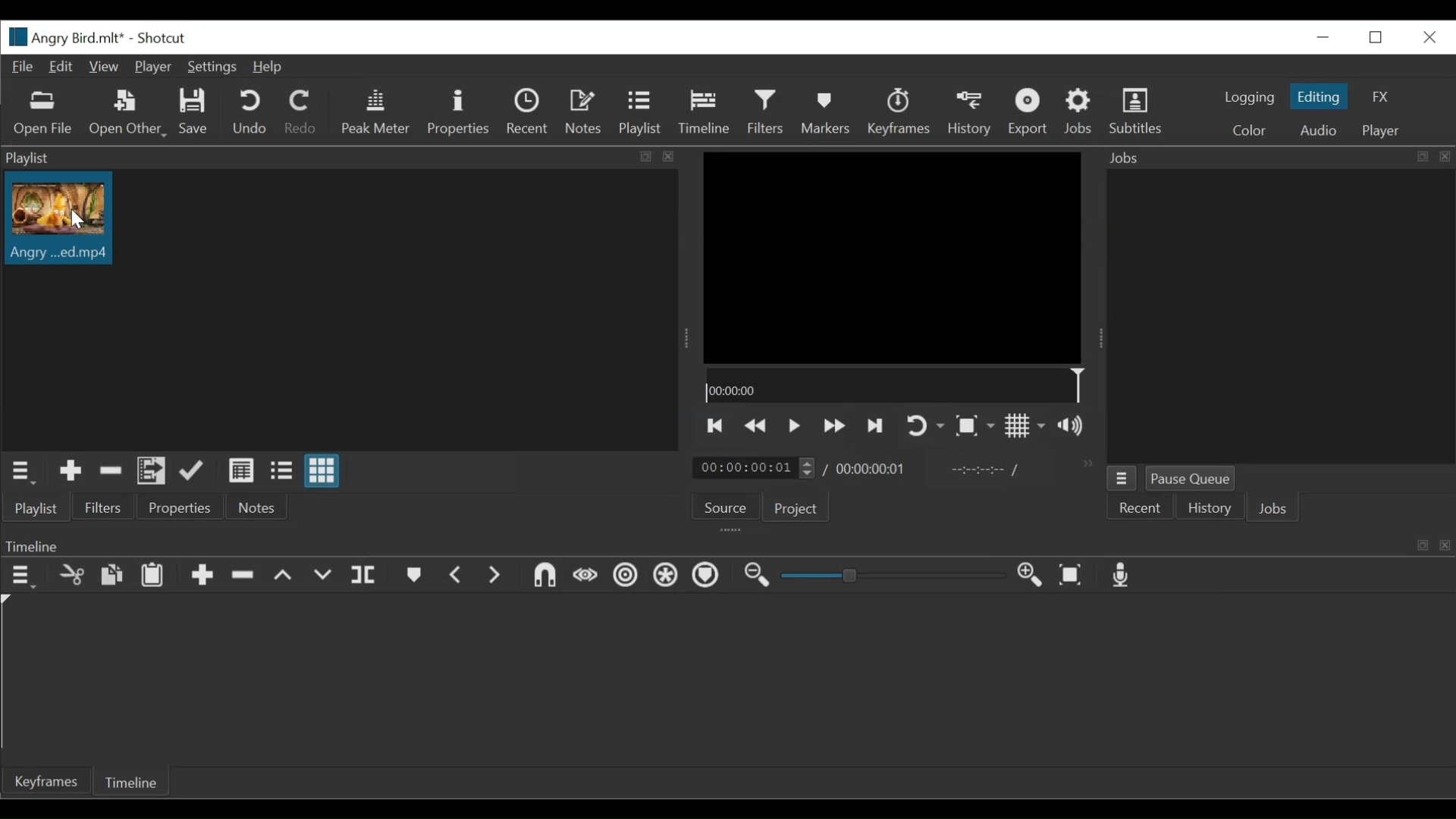 This screenshot has height=819, width=1456. What do you see at coordinates (1144, 510) in the screenshot?
I see `Recent` at bounding box center [1144, 510].